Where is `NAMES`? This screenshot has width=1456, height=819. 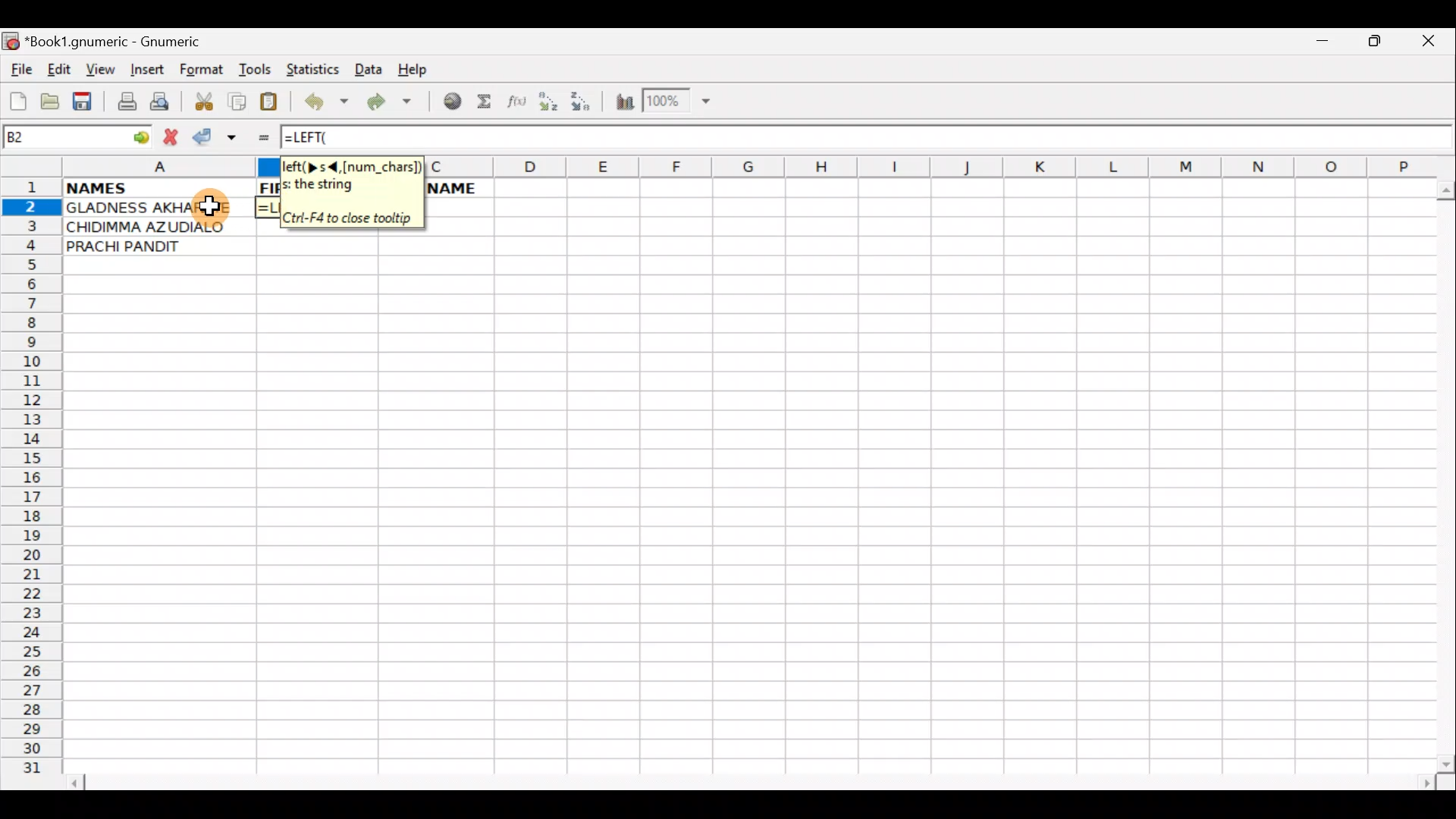
NAMES is located at coordinates (158, 189).